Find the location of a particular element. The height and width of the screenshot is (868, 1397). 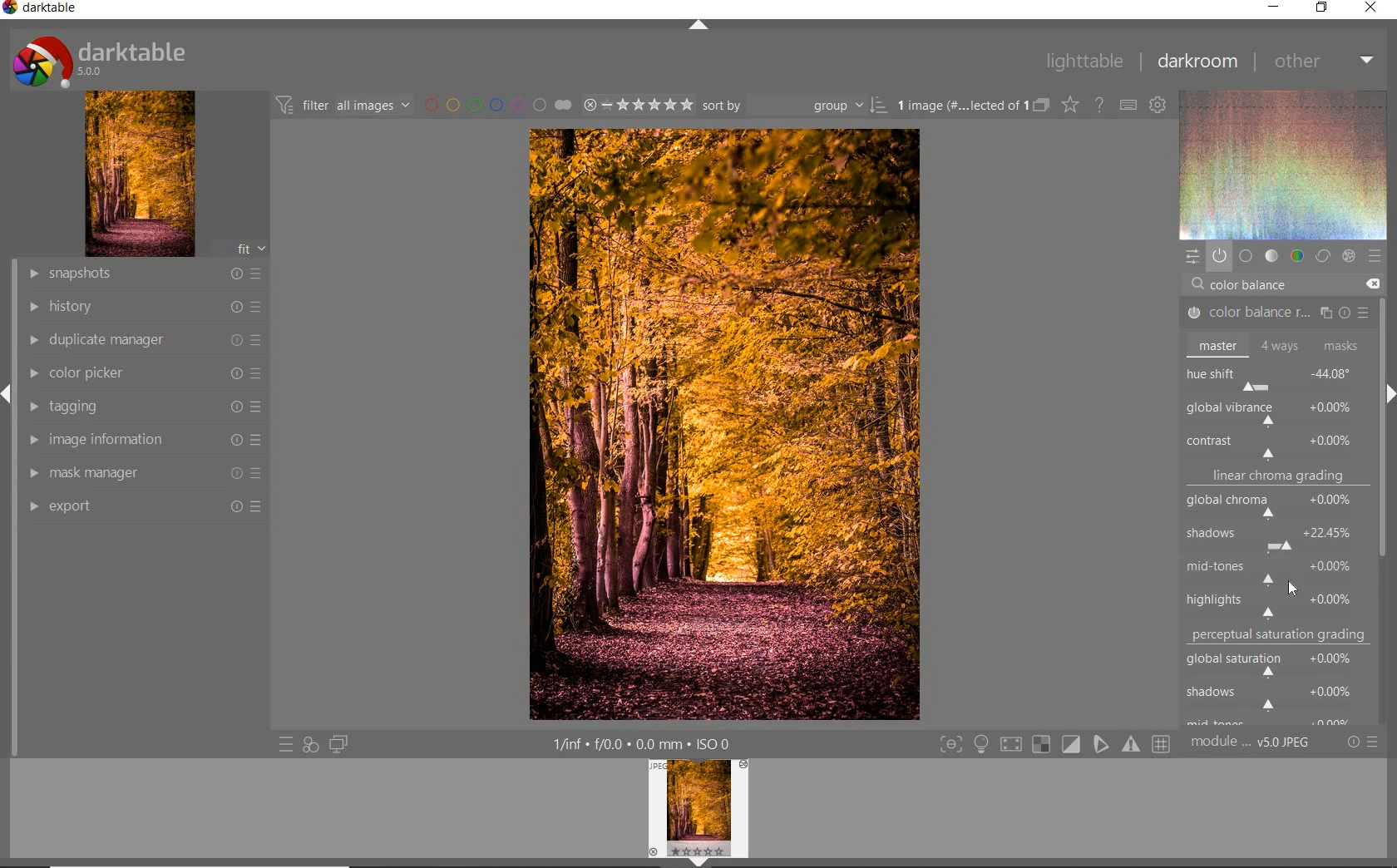

CURSOR POSITION is located at coordinates (1292, 589).